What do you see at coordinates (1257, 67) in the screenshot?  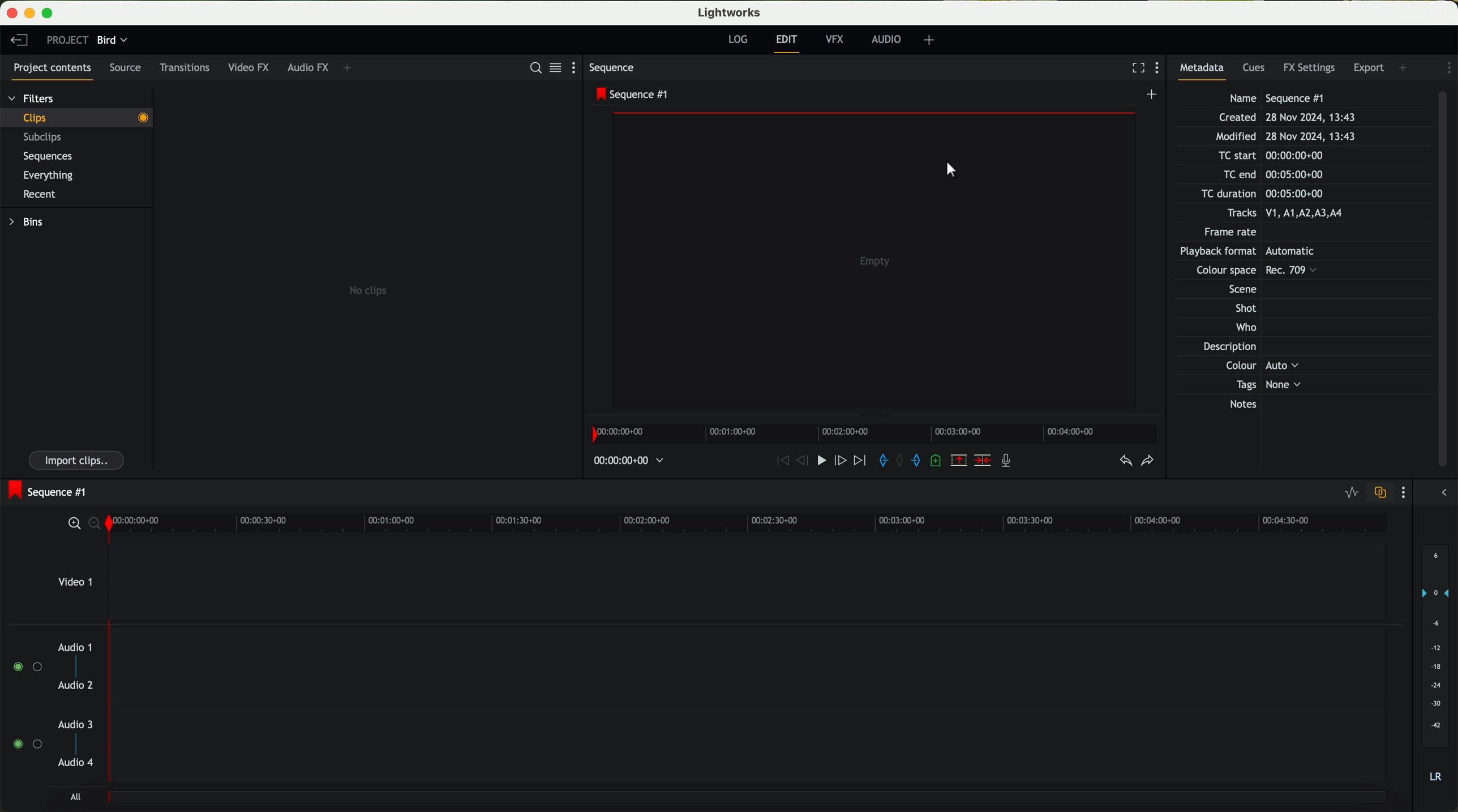 I see `cues` at bounding box center [1257, 67].